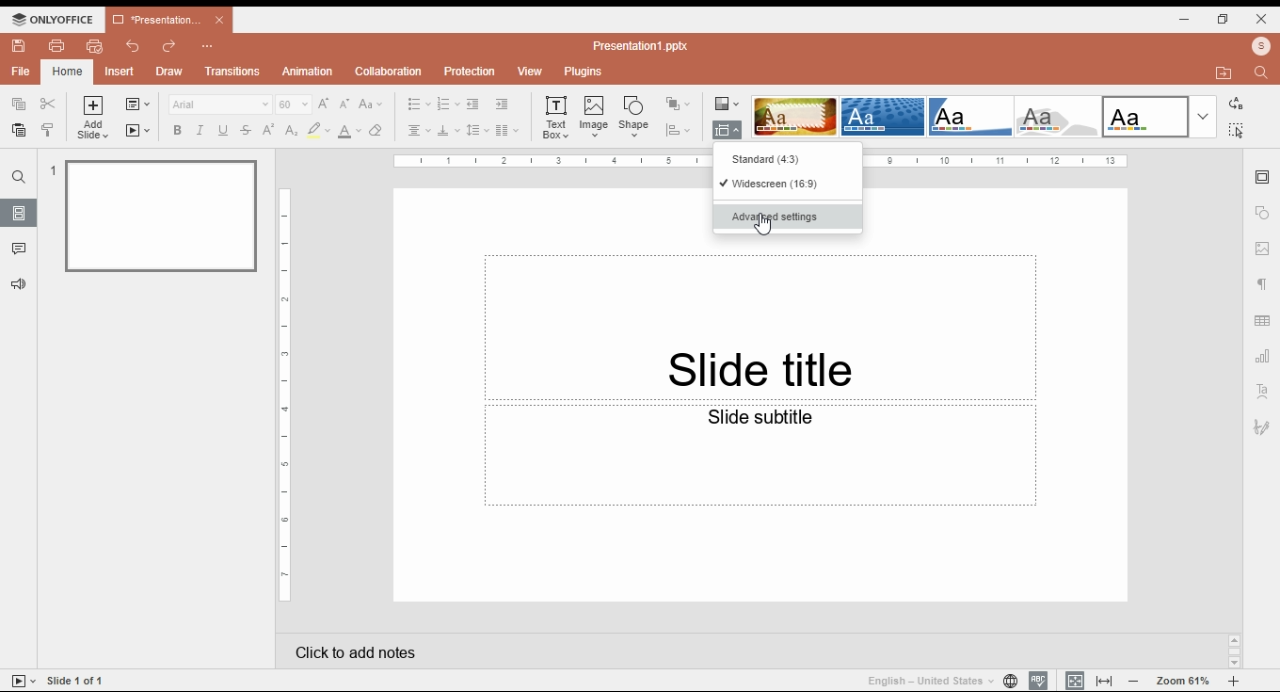 The width and height of the screenshot is (1280, 692). I want to click on line spacing, so click(478, 131).